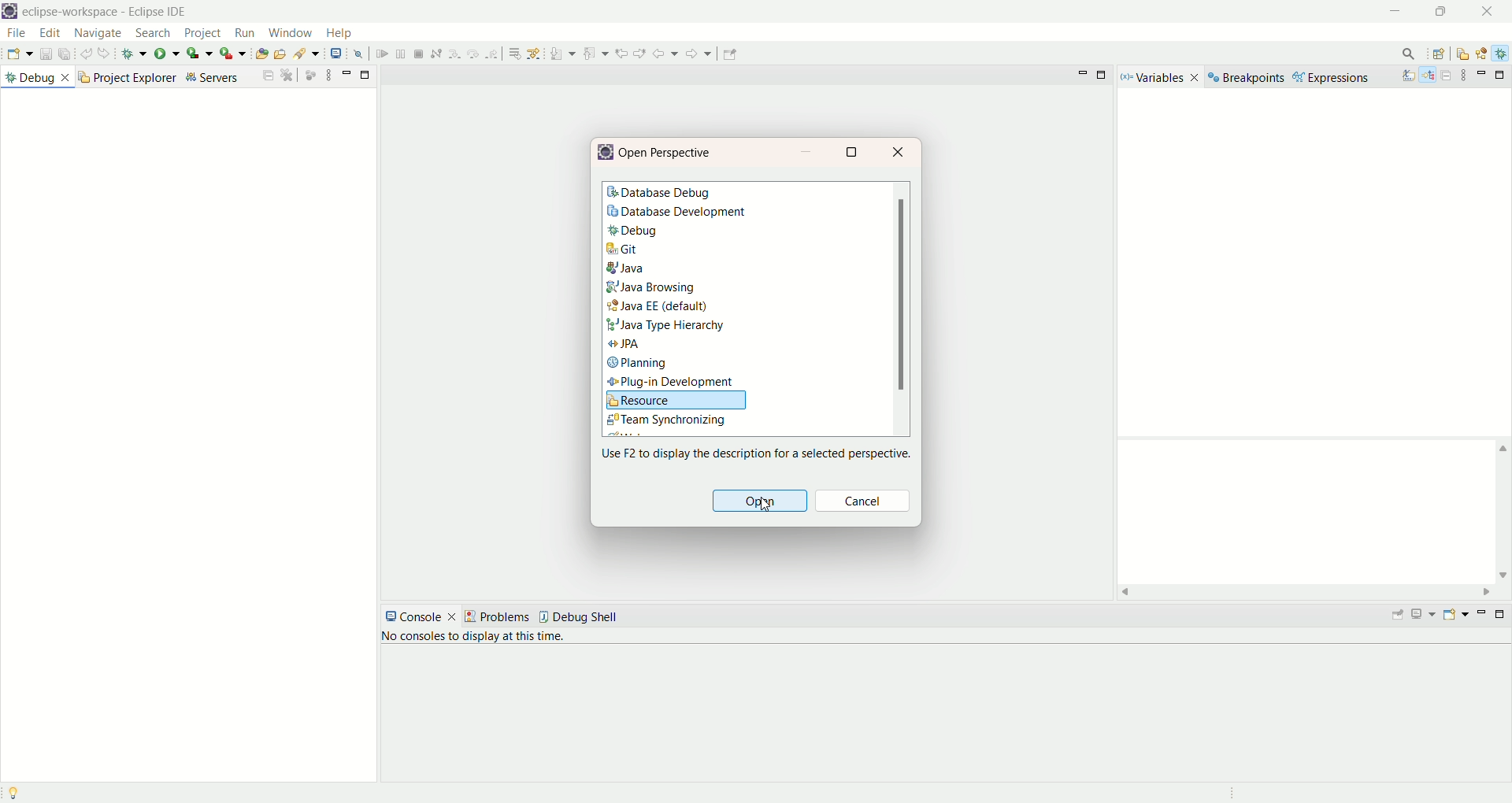 The image size is (1512, 803). I want to click on save, so click(43, 54).